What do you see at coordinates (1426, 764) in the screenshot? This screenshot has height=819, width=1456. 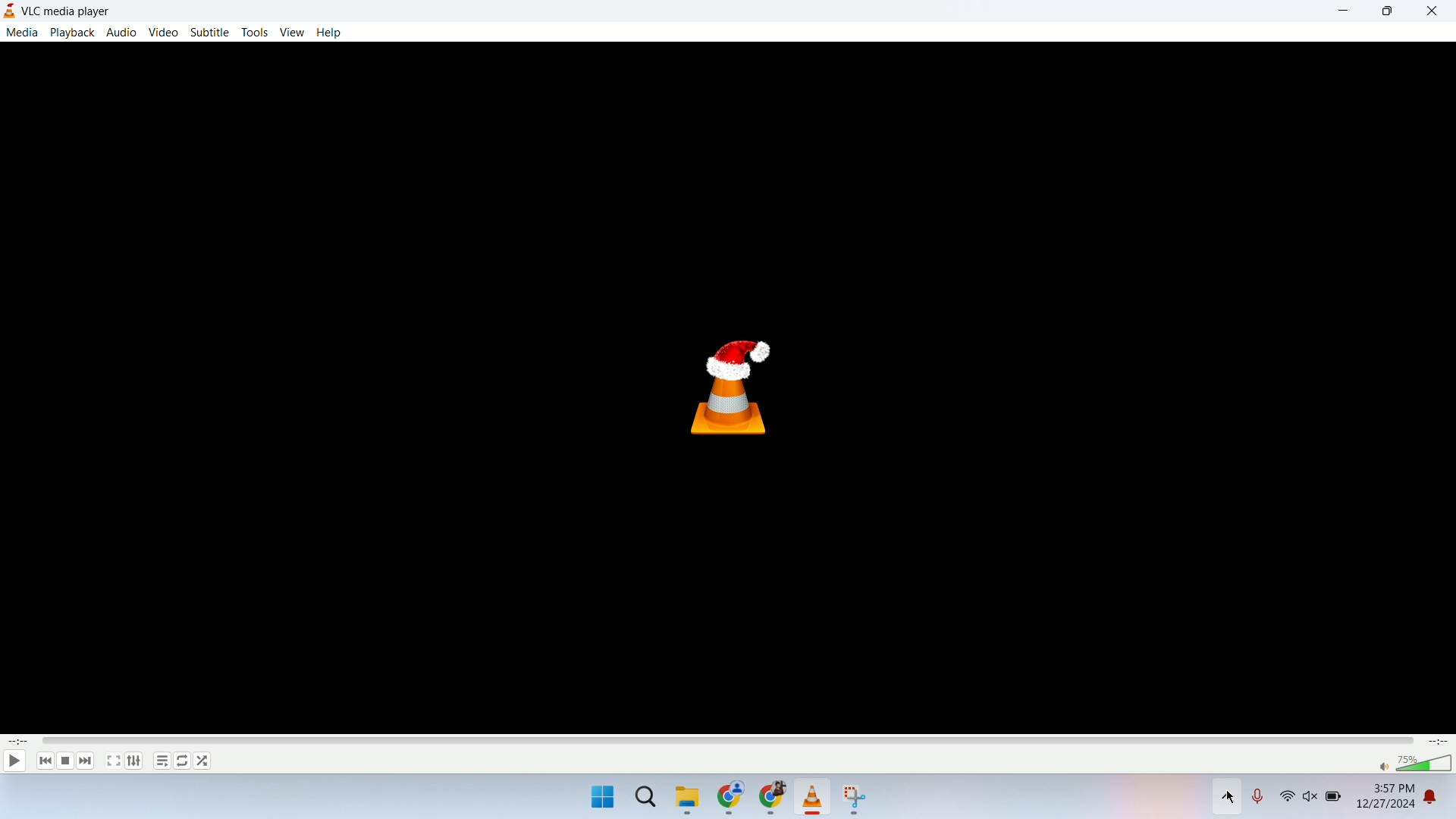 I see `volume bar` at bounding box center [1426, 764].